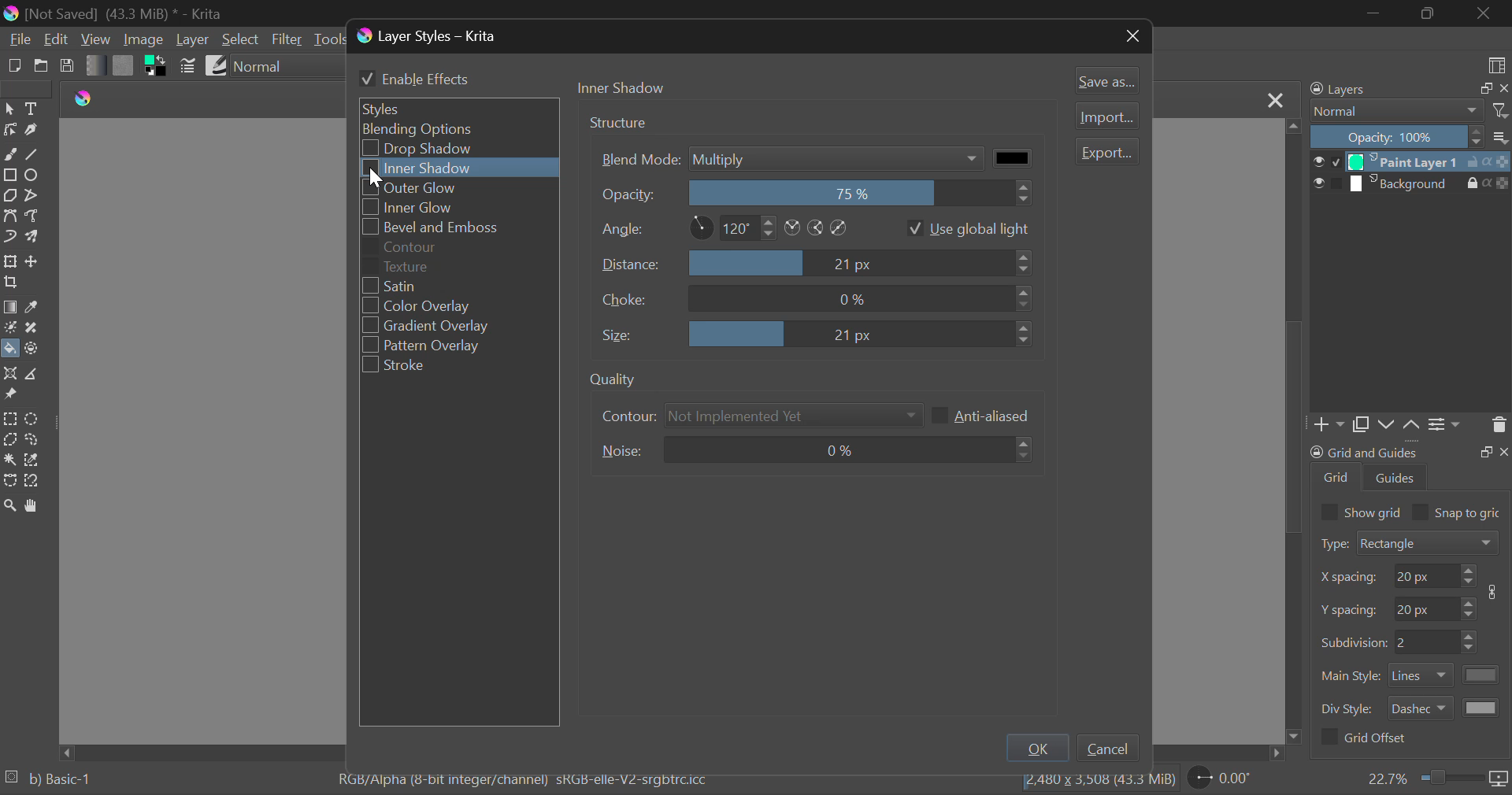  I want to click on Magnetic Selection, so click(35, 480).